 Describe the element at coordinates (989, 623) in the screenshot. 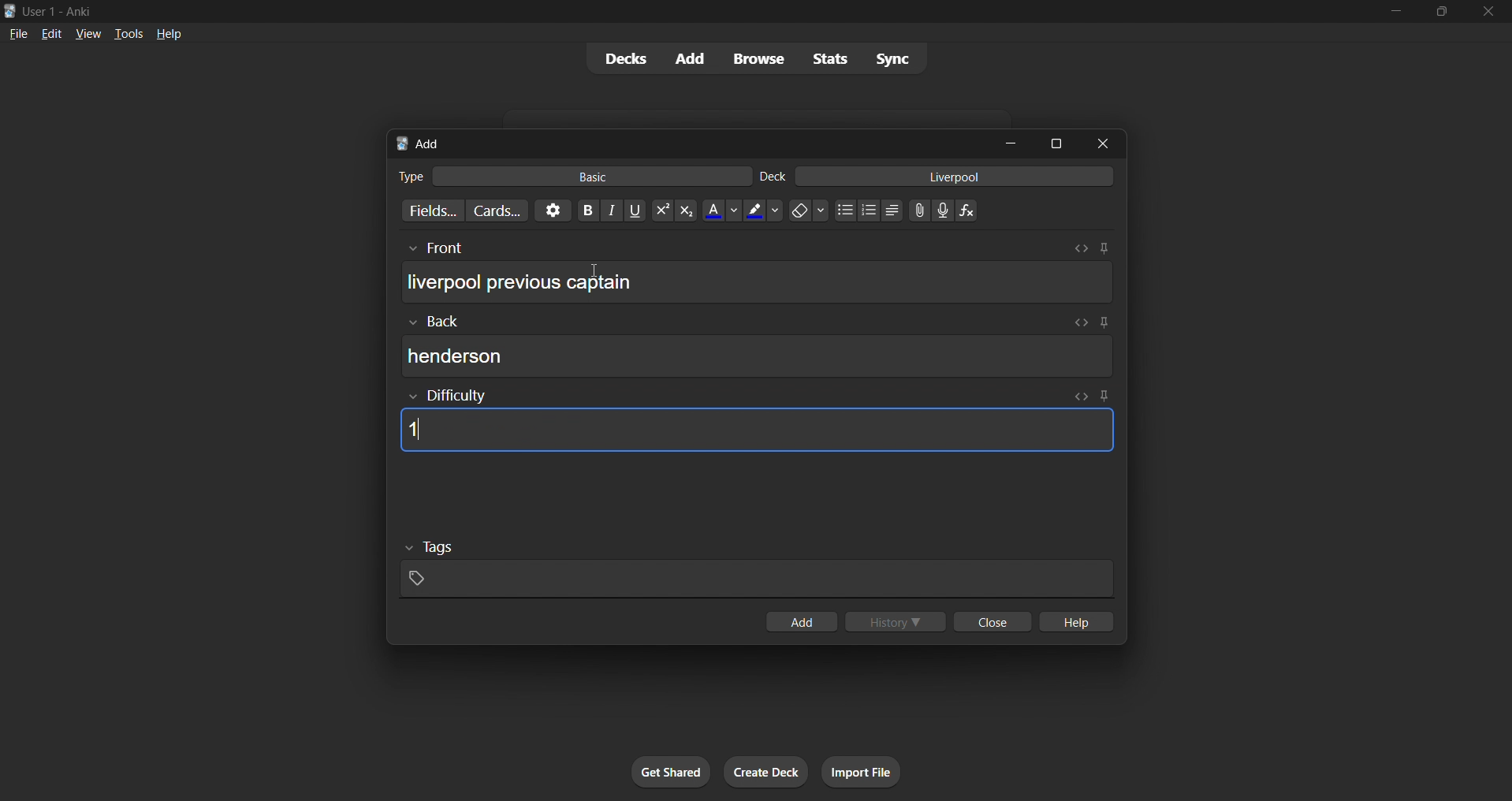

I see `close` at that location.